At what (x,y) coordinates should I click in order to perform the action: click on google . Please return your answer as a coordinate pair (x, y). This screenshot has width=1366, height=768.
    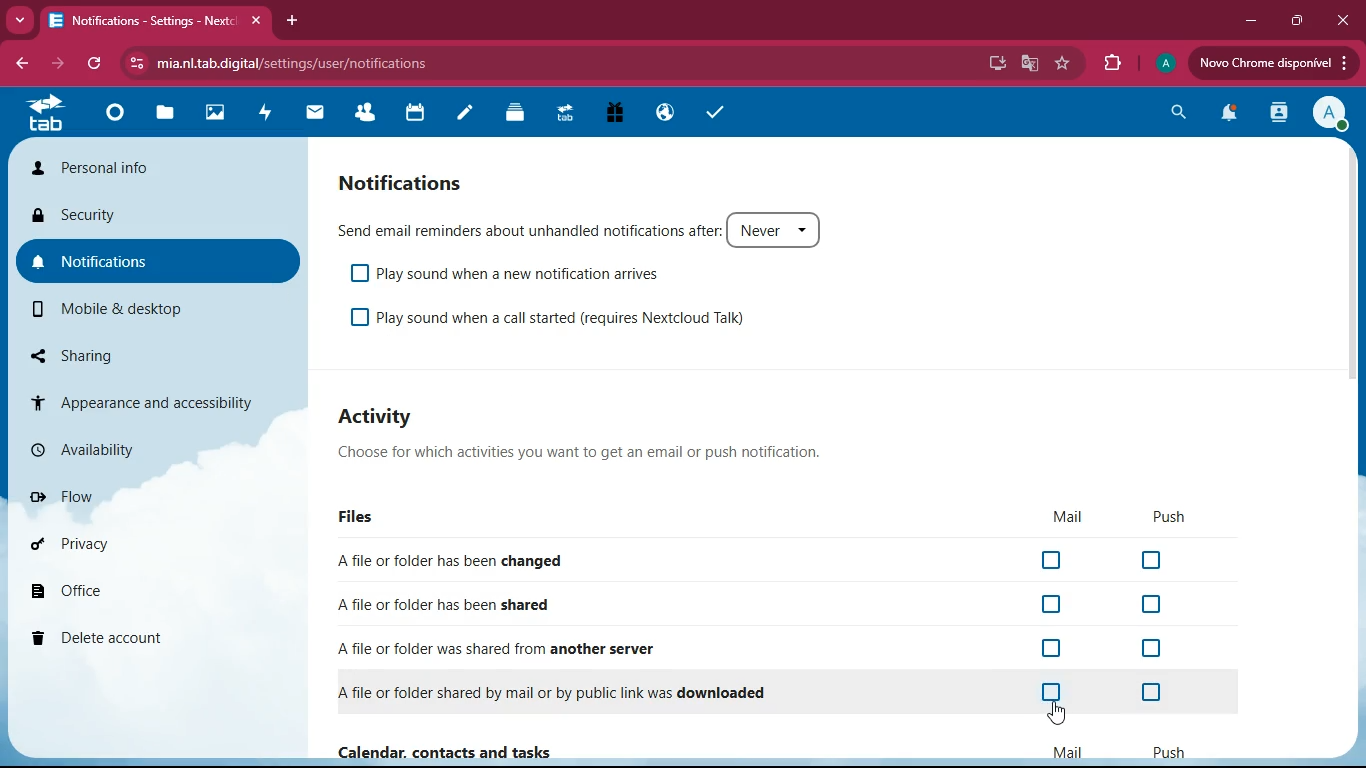
    Looking at the image, I should click on (1025, 64).